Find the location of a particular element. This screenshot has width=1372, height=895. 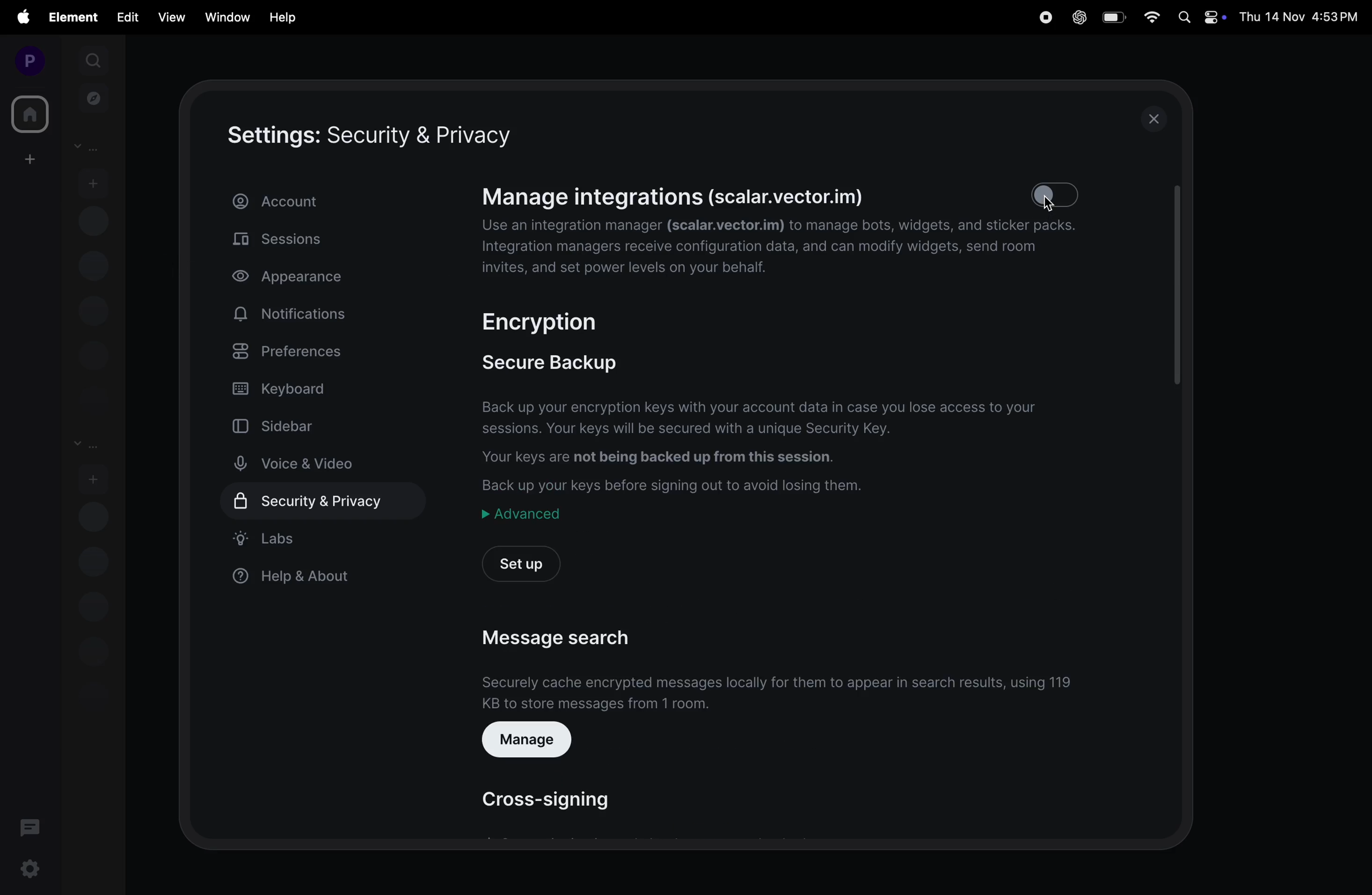

Manage integrations (scalar.vector.im) is located at coordinates (669, 197).